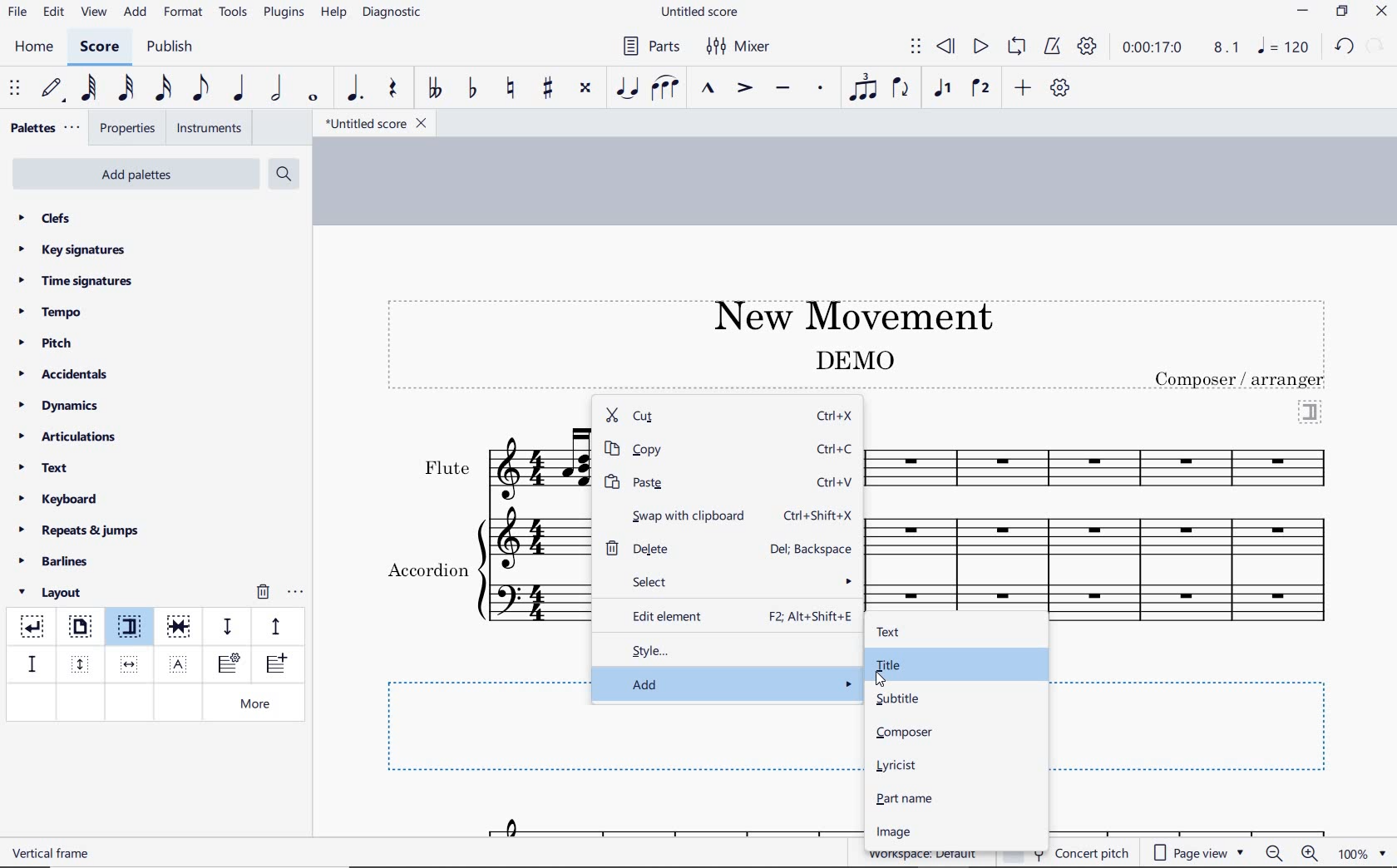 The image size is (1397, 868). I want to click on Shortcut key, so click(811, 617).